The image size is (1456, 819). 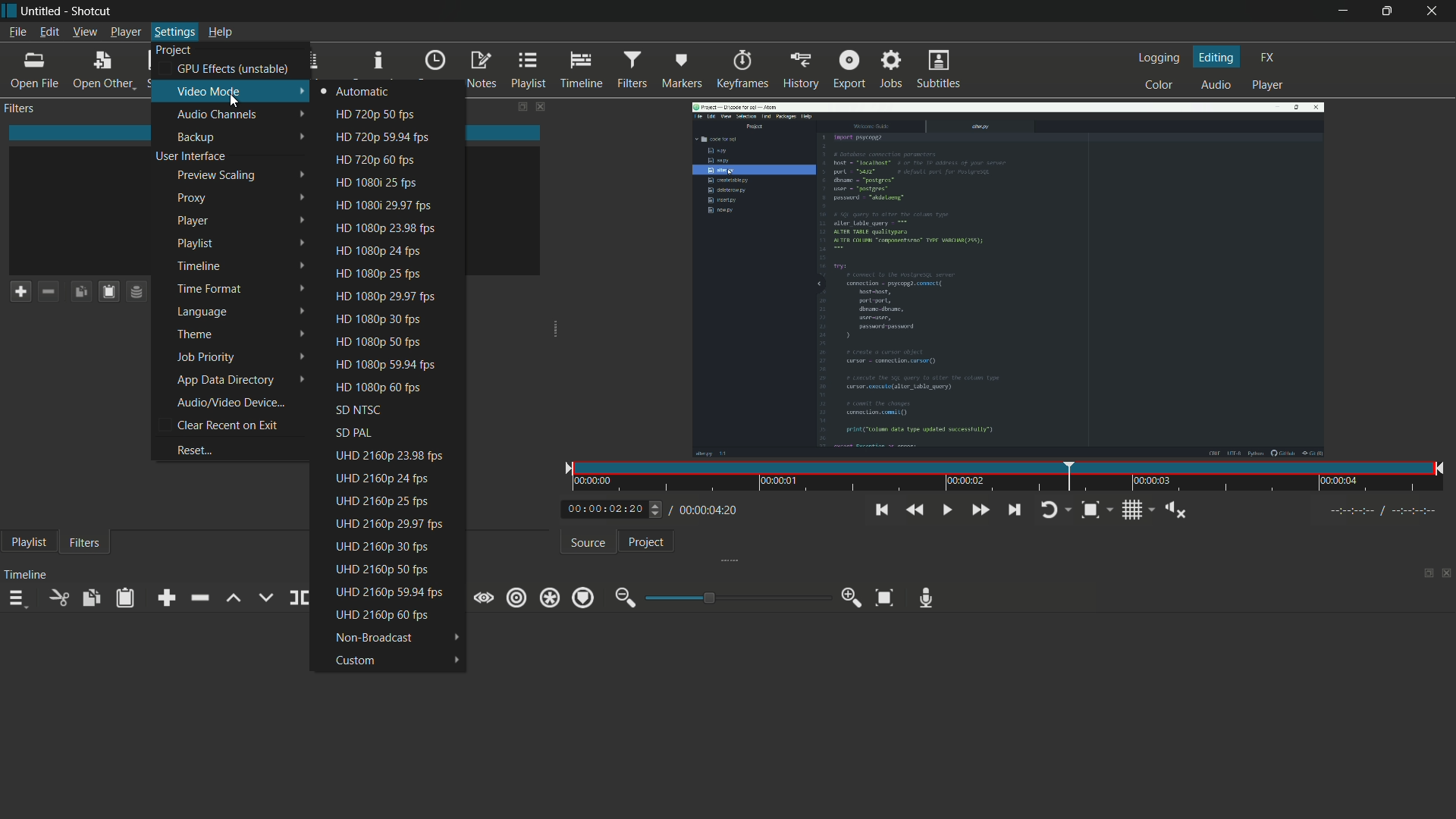 What do you see at coordinates (242, 334) in the screenshot?
I see `theme` at bounding box center [242, 334].